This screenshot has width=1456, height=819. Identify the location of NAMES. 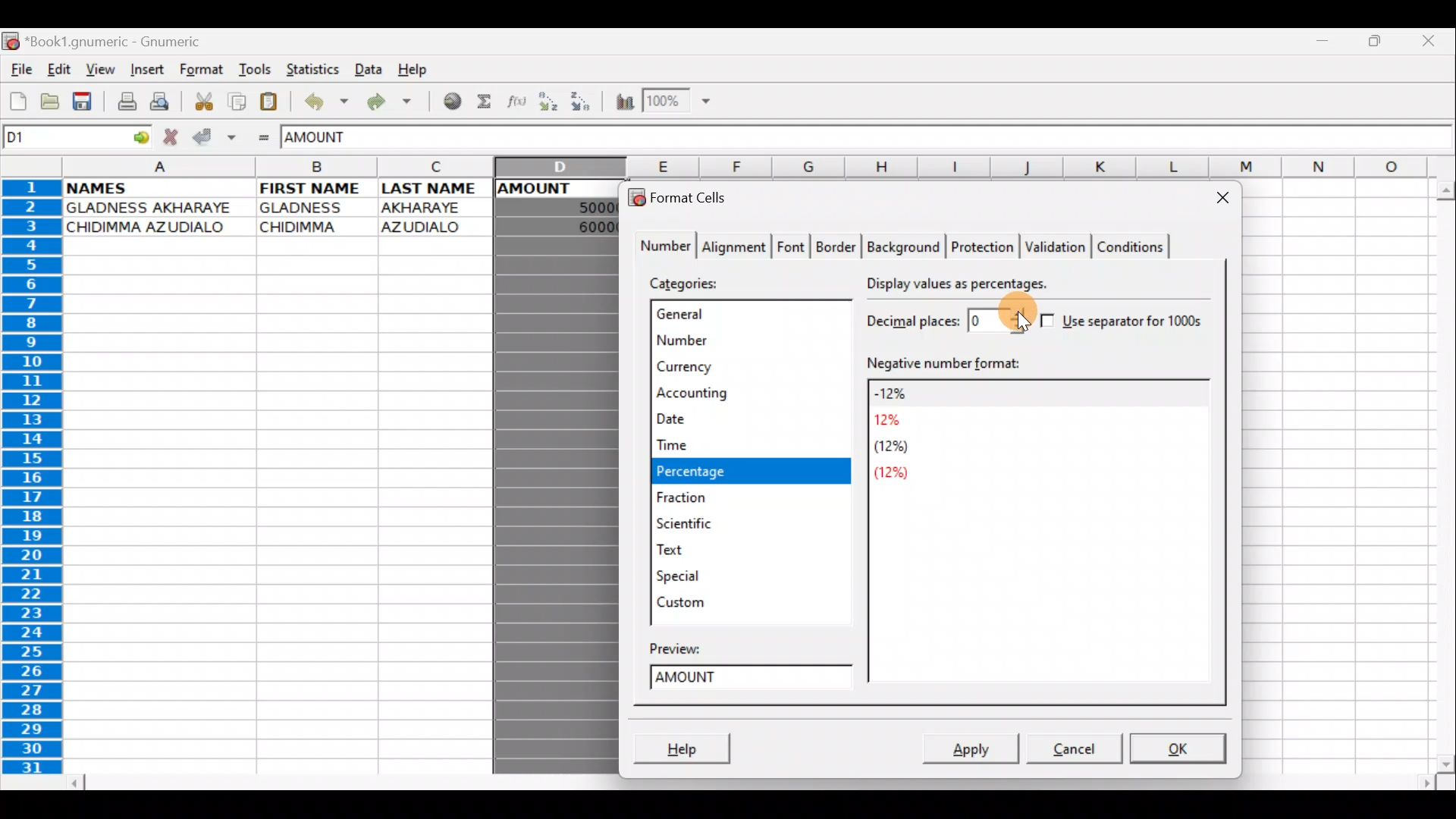
(120, 188).